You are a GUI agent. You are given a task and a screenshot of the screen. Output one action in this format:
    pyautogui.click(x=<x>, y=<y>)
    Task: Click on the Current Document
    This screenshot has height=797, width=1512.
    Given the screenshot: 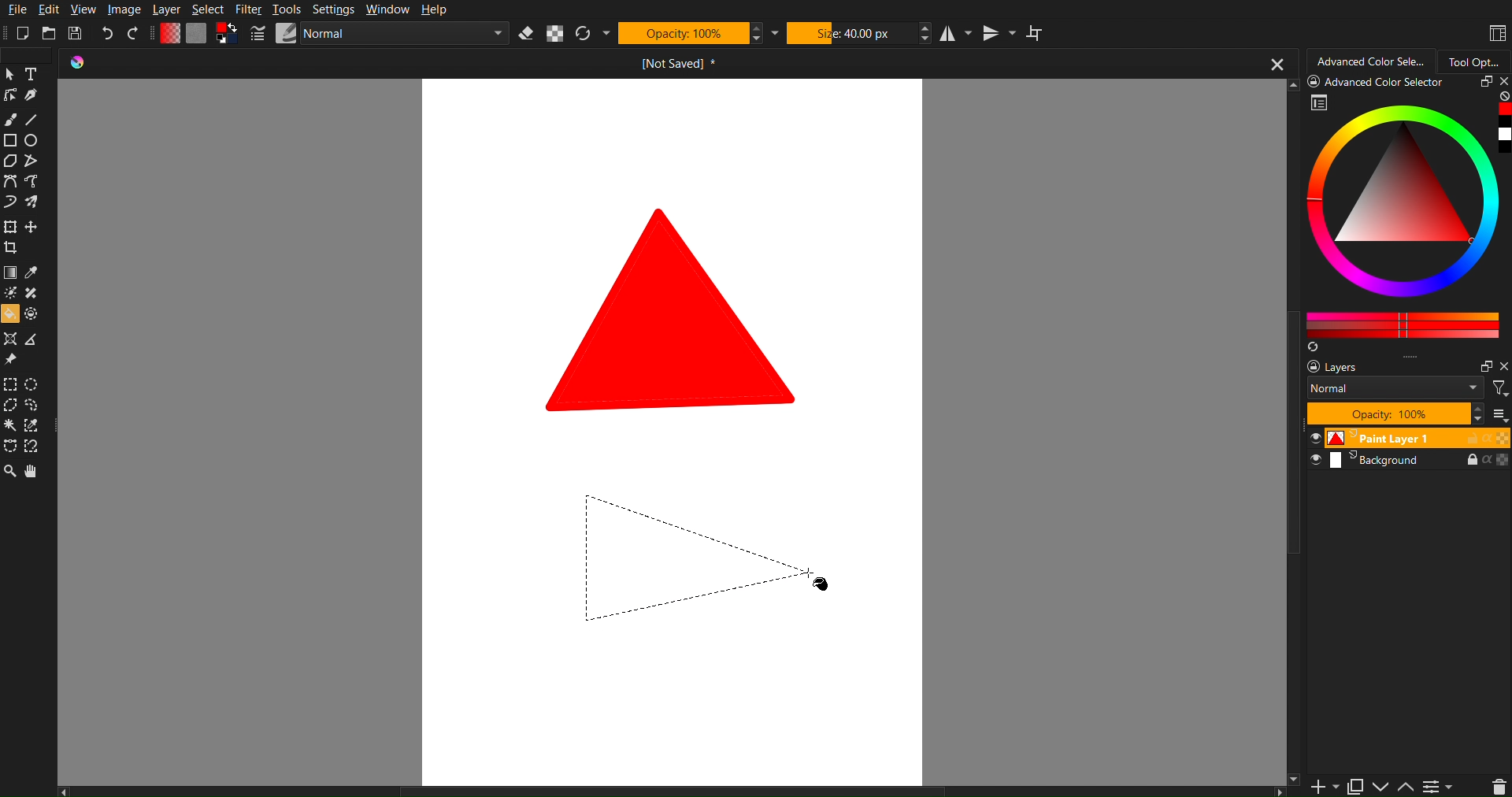 What is the action you would take?
    pyautogui.click(x=681, y=65)
    